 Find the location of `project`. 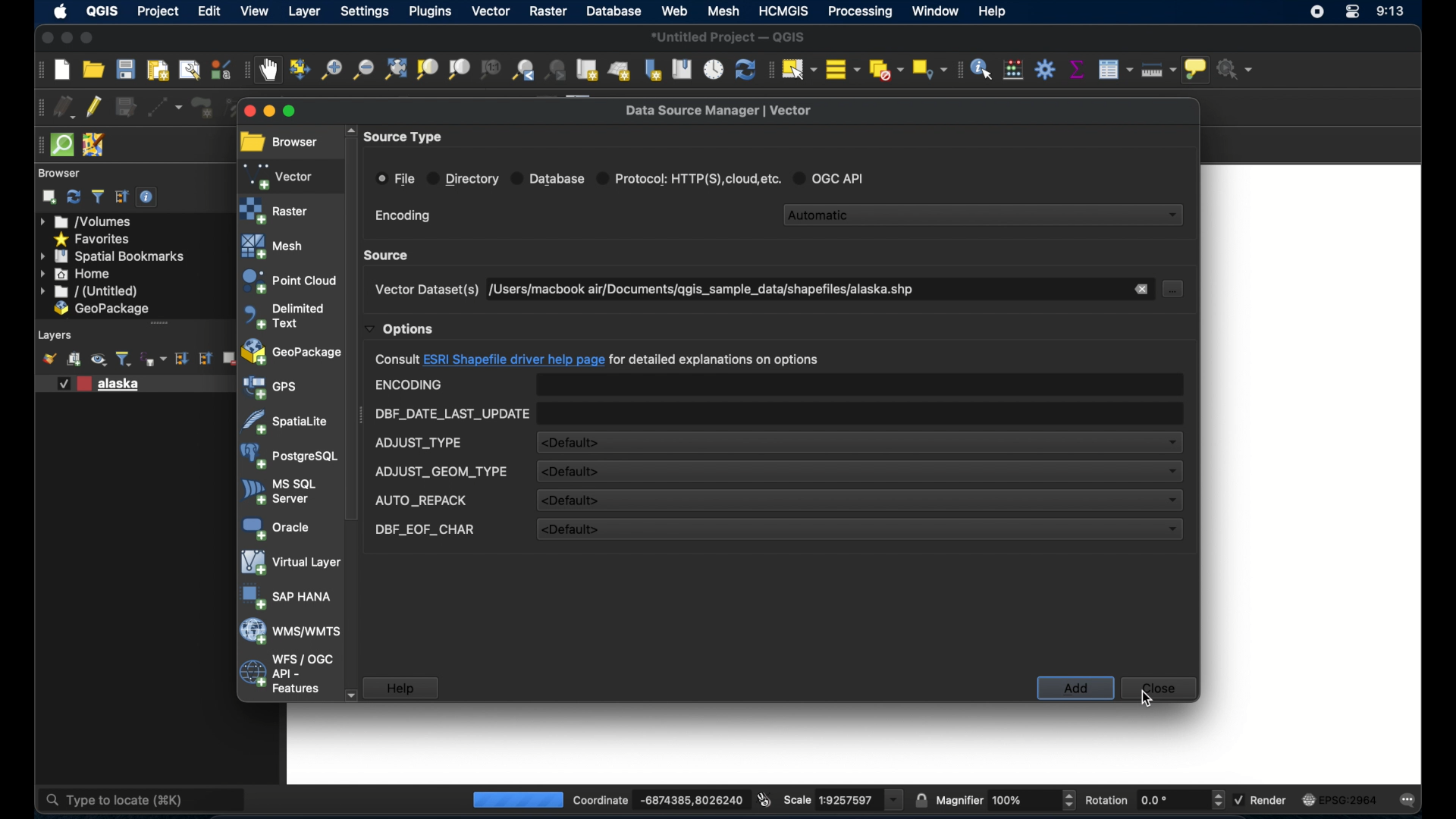

project is located at coordinates (158, 11).